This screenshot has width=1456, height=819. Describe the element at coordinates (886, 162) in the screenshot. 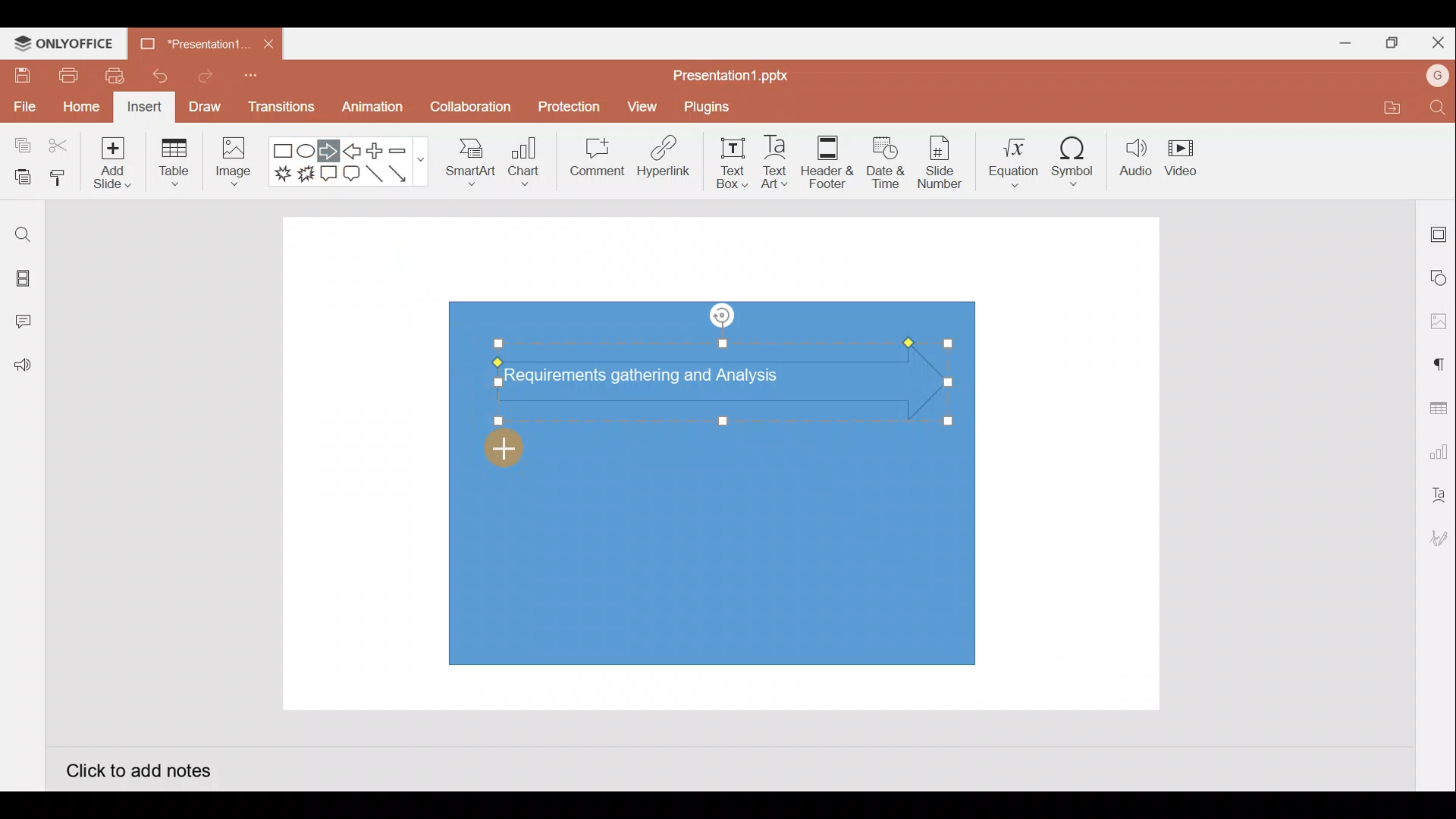

I see `Date & time` at that location.